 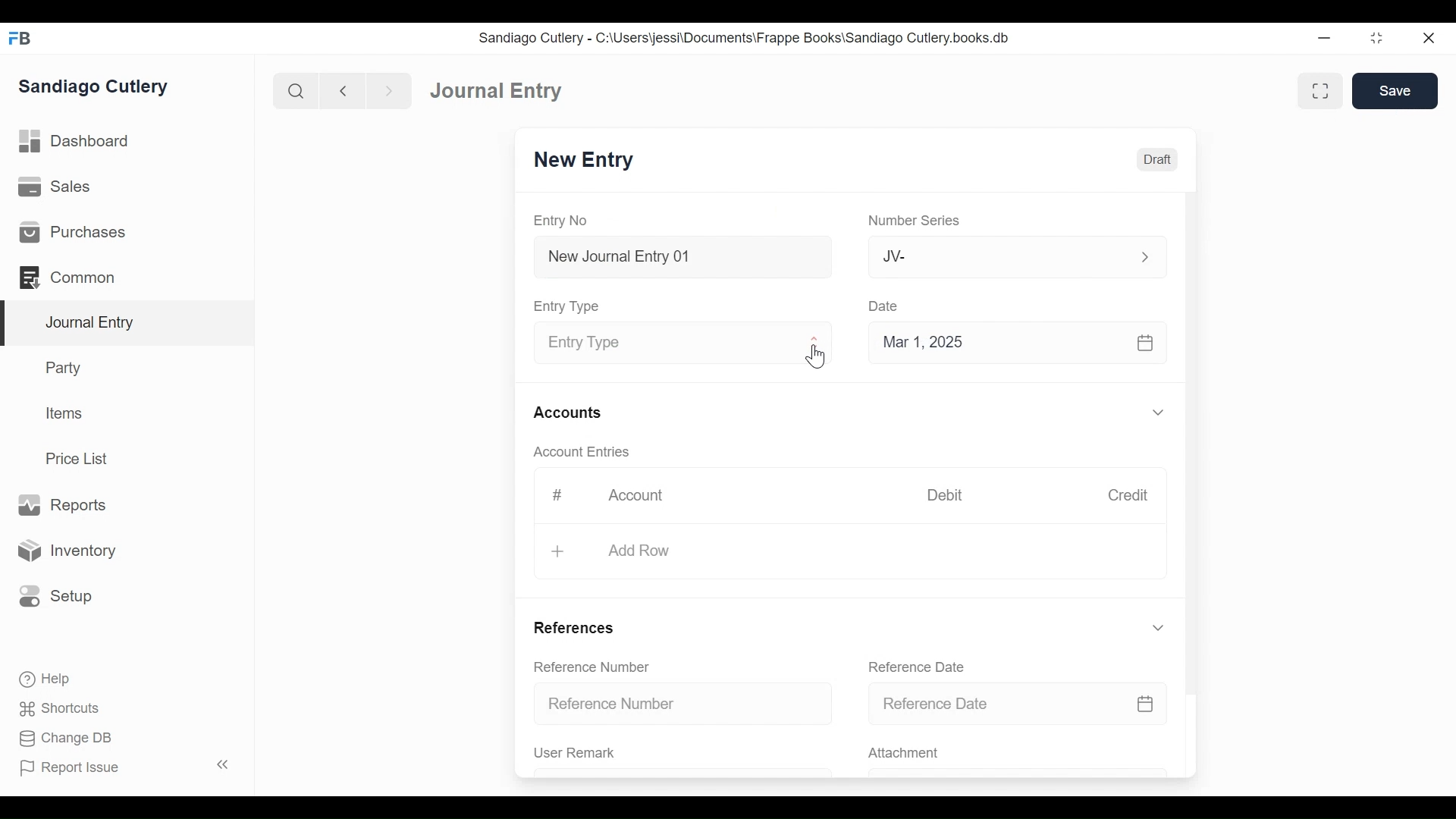 I want to click on expand/collapse, so click(x=1159, y=626).